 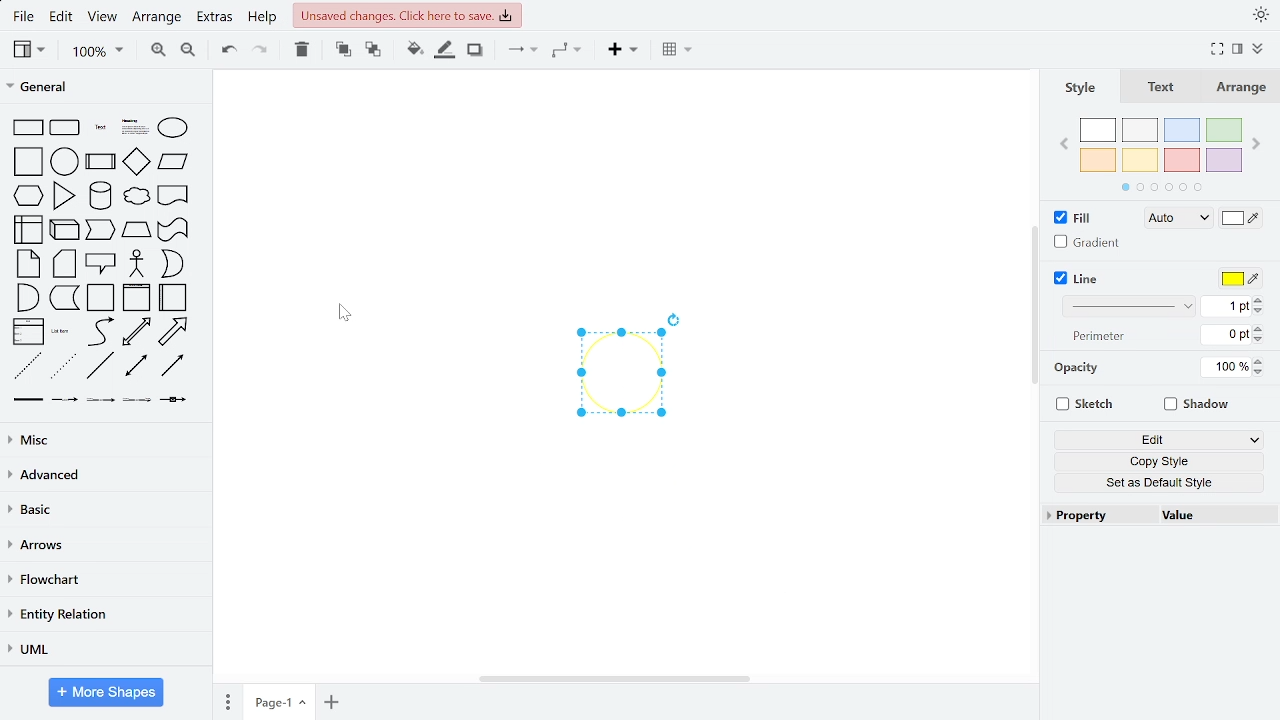 I want to click on Delete, so click(x=302, y=51).